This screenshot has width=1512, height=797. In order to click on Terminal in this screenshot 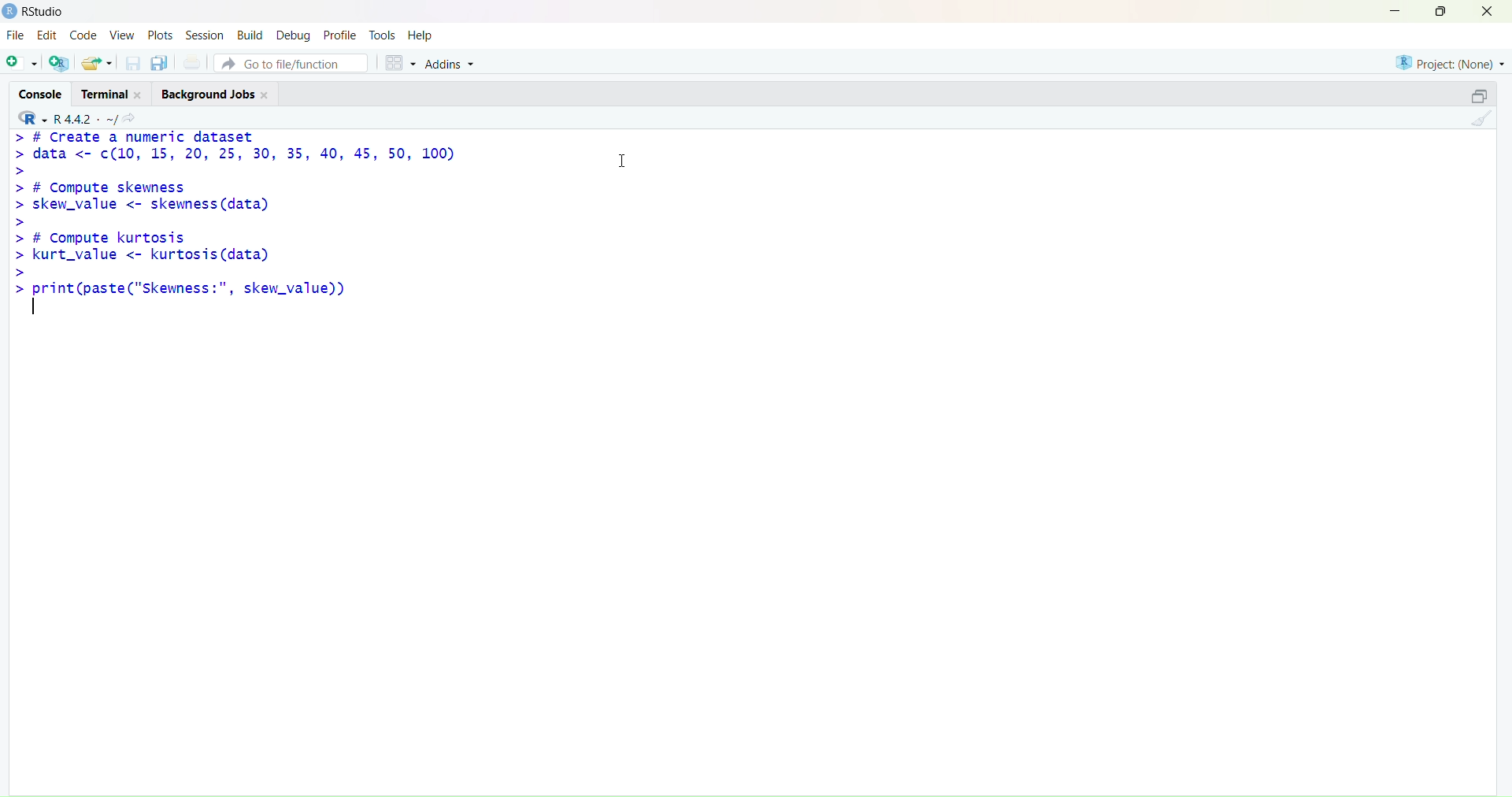, I will do `click(116, 93)`.